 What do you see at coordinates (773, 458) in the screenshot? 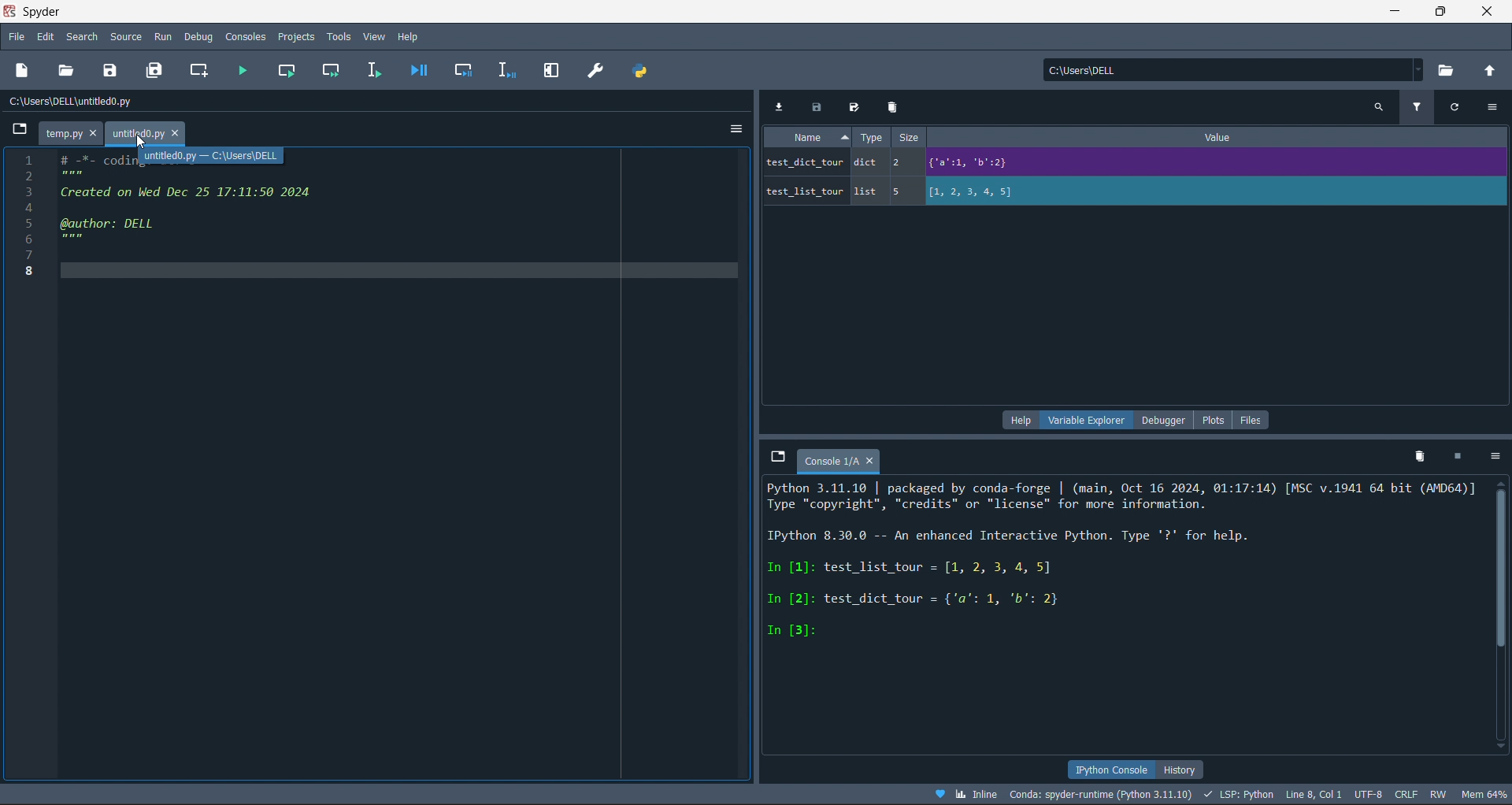
I see `browse tab` at bounding box center [773, 458].